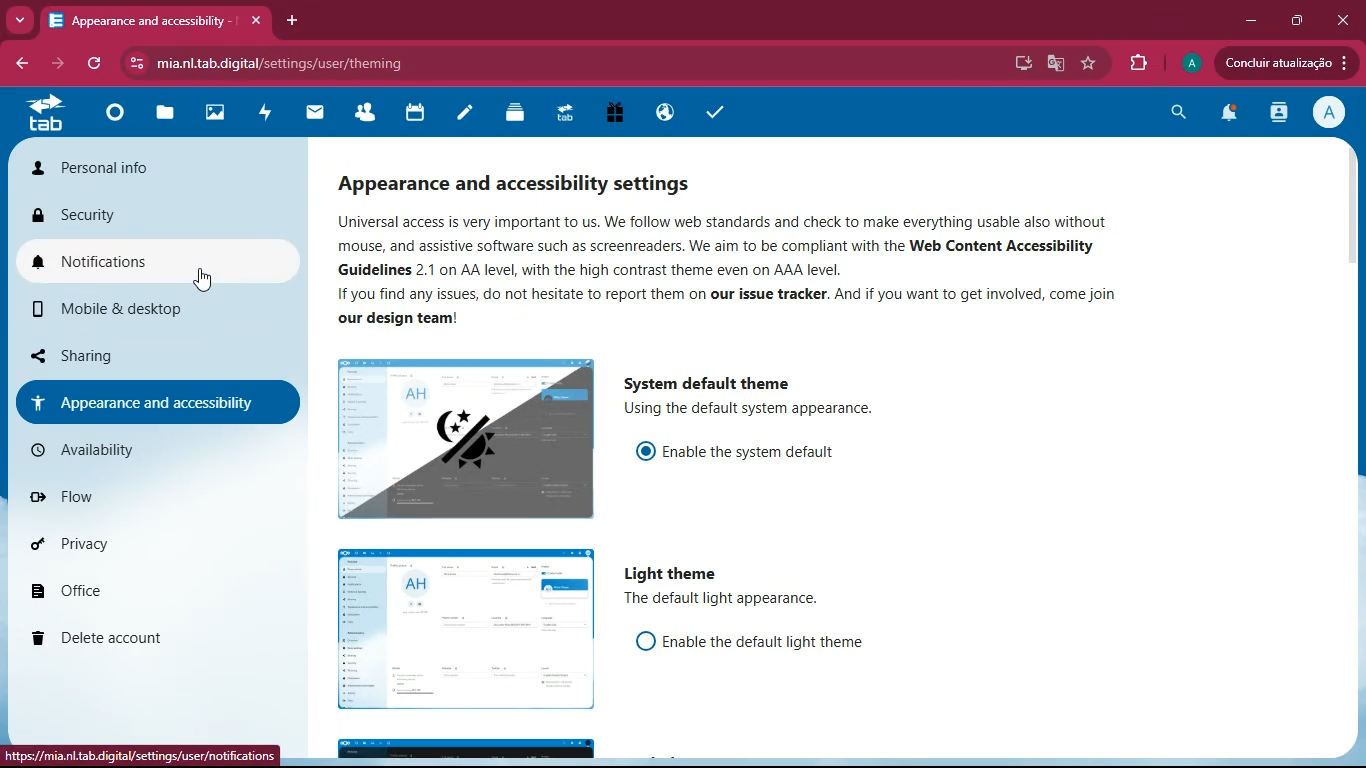  I want to click on minimize, so click(1246, 21).